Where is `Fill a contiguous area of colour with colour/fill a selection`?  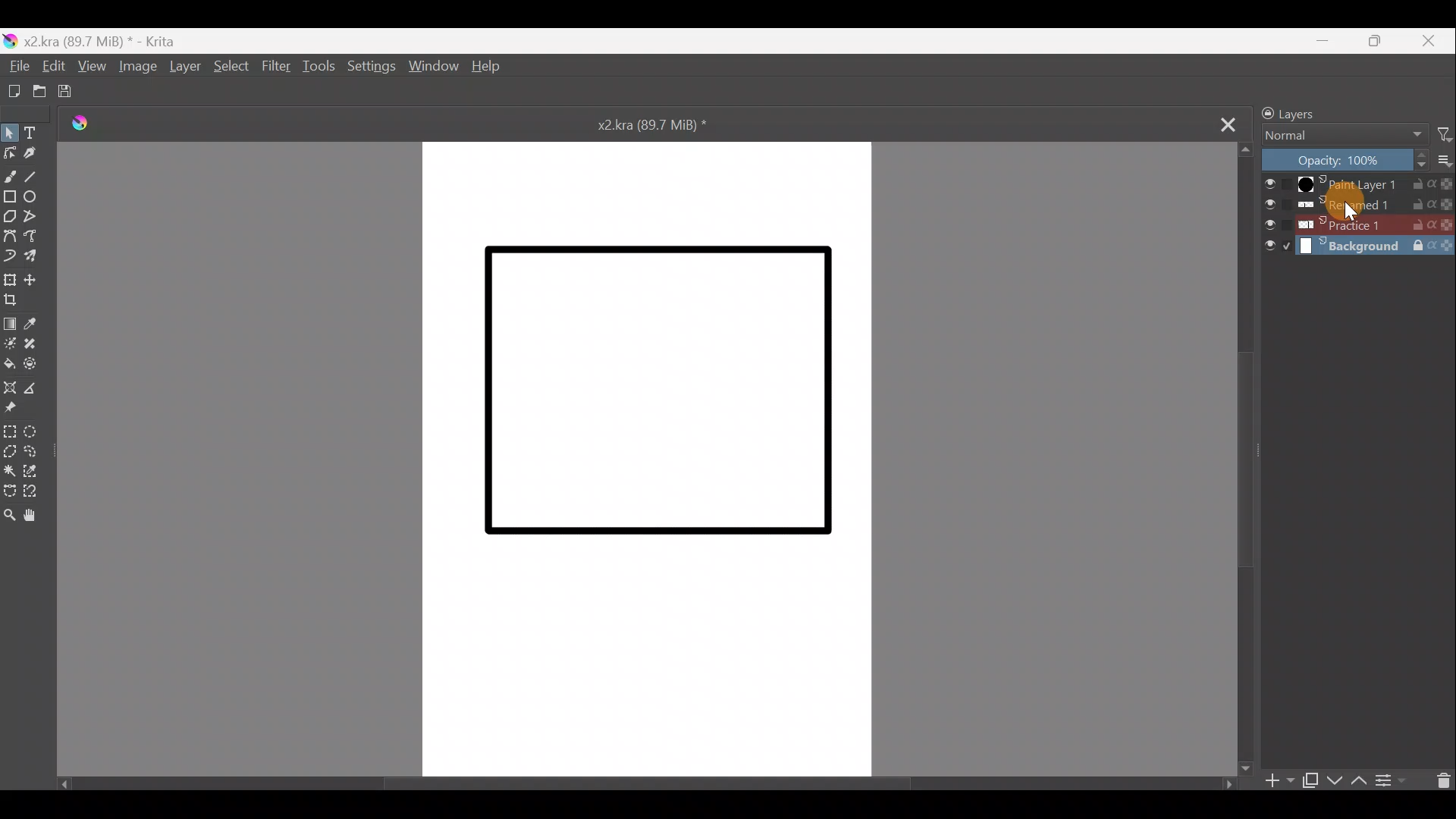 Fill a contiguous area of colour with colour/fill a selection is located at coordinates (11, 364).